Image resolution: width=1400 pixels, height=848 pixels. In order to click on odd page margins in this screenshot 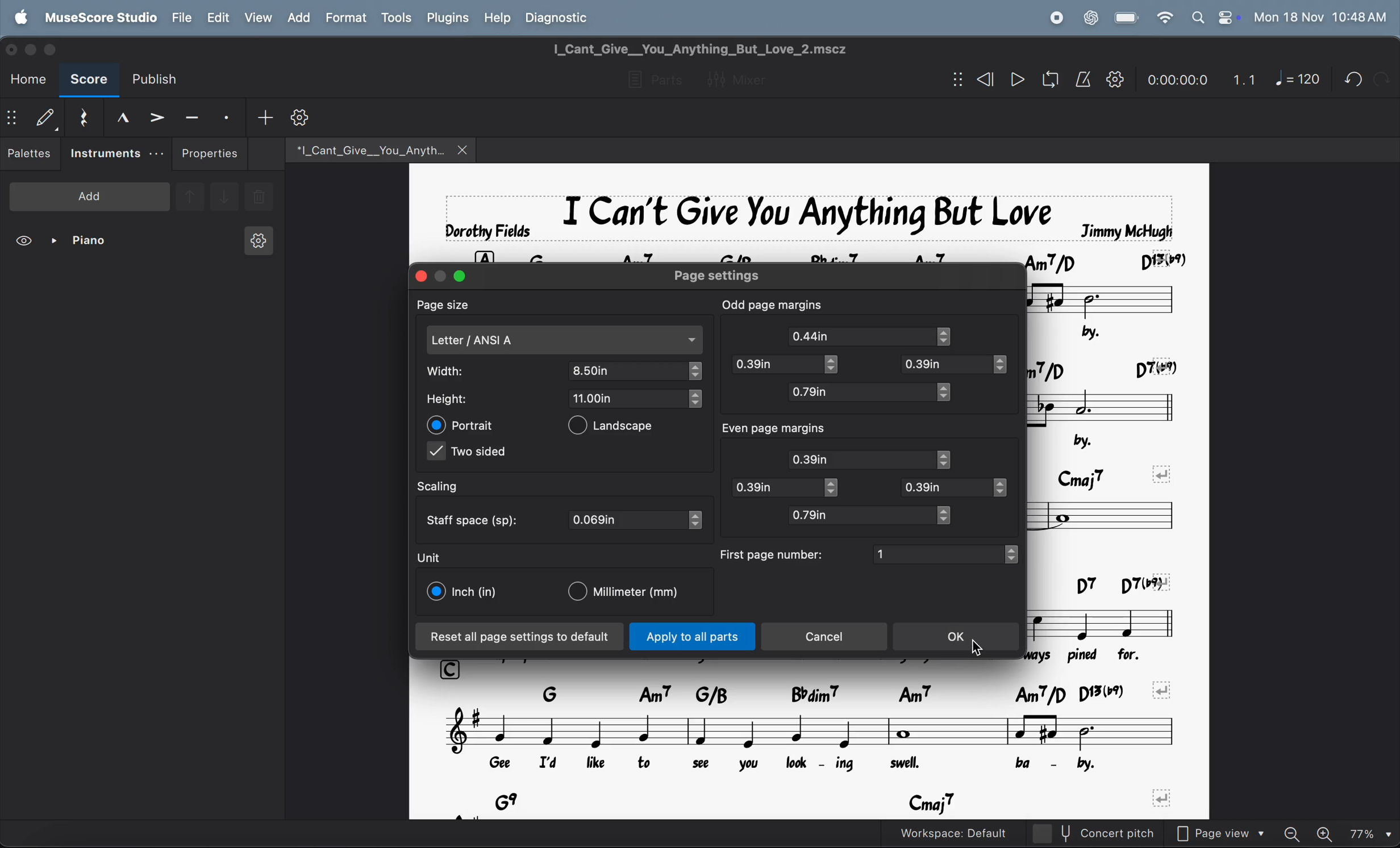, I will do `click(773, 303)`.